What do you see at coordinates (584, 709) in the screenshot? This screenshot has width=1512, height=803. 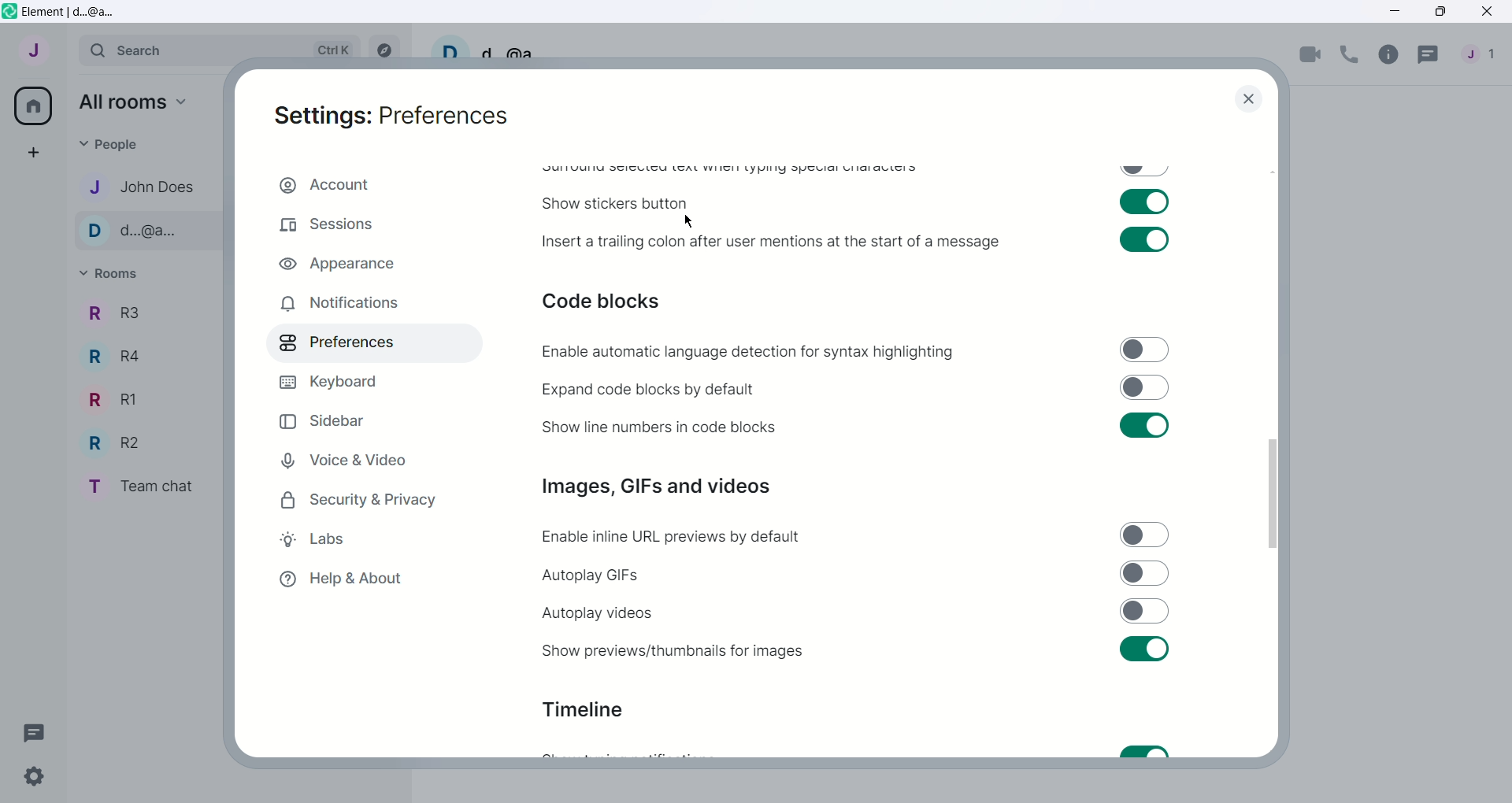 I see `Timeline` at bounding box center [584, 709].